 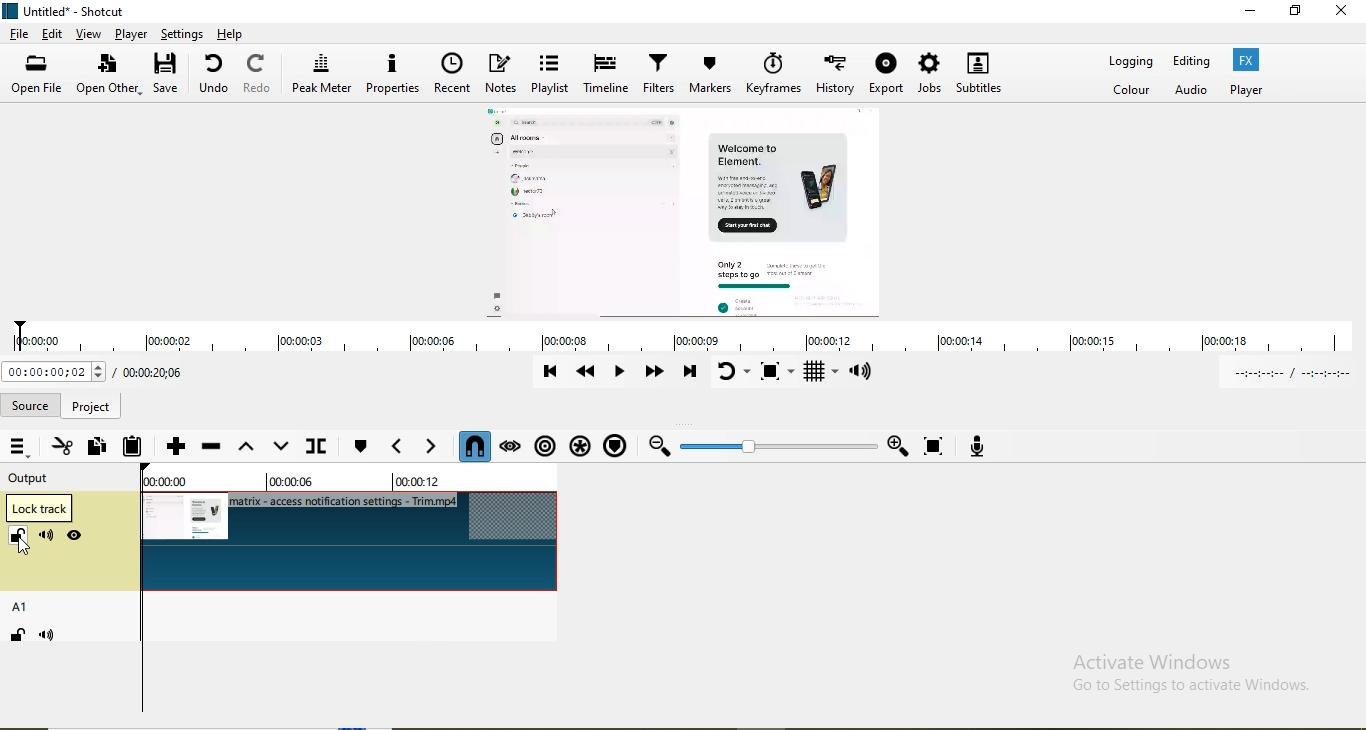 What do you see at coordinates (21, 507) in the screenshot?
I see `V1` at bounding box center [21, 507].